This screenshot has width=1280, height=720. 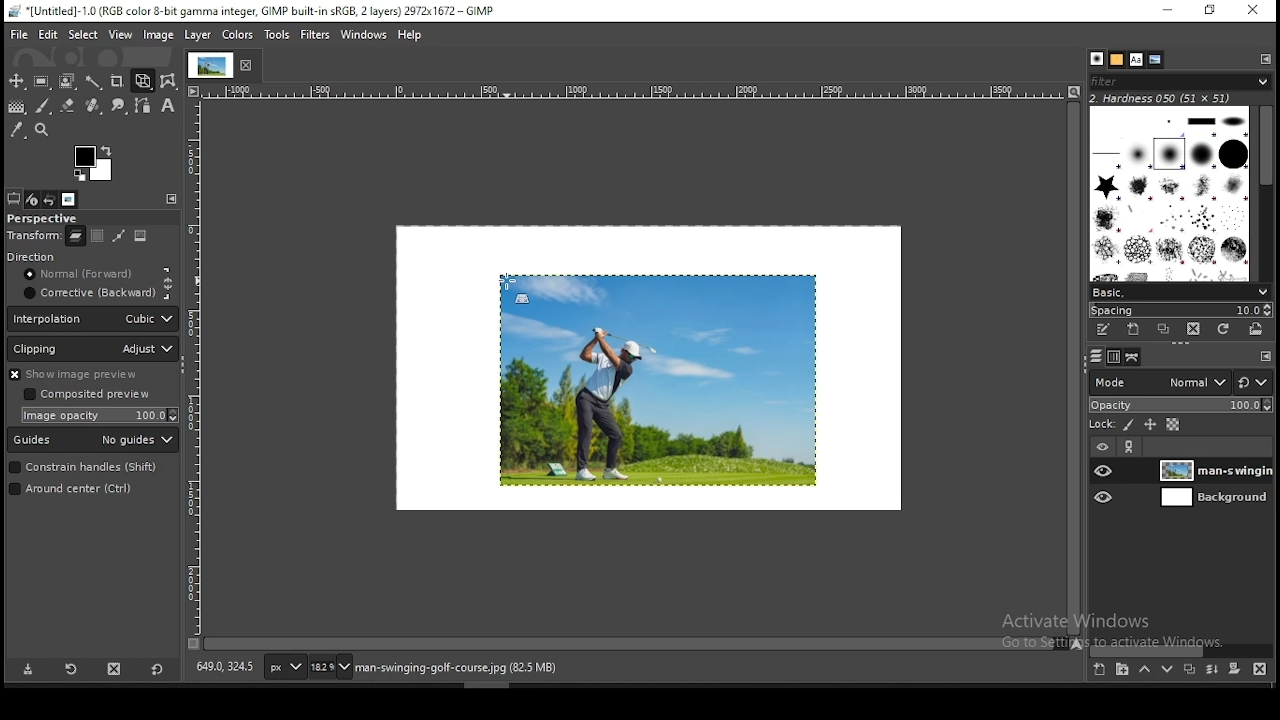 I want to click on blend mode, so click(x=1181, y=382).